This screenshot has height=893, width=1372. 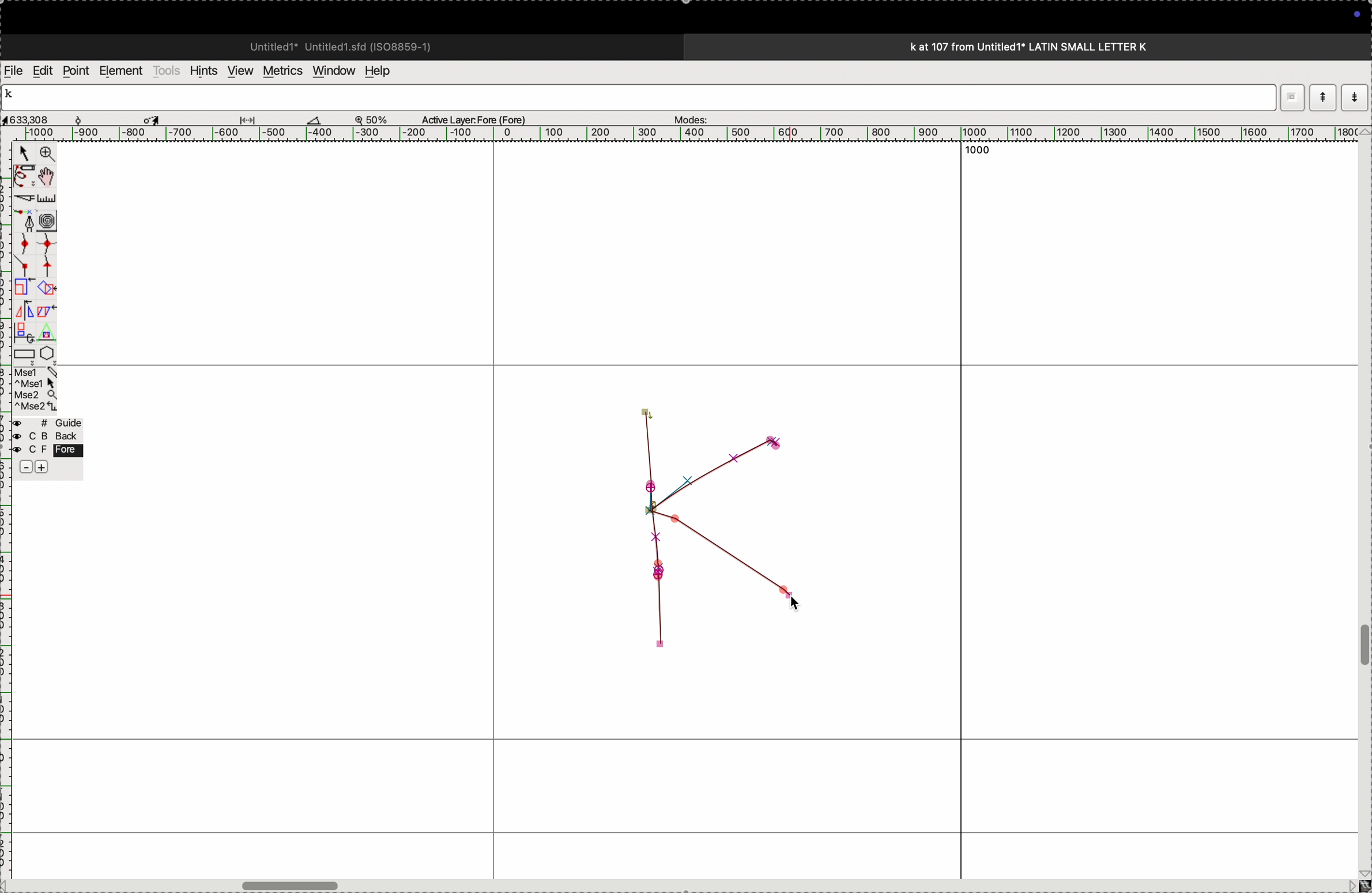 I want to click on metrics, so click(x=281, y=71).